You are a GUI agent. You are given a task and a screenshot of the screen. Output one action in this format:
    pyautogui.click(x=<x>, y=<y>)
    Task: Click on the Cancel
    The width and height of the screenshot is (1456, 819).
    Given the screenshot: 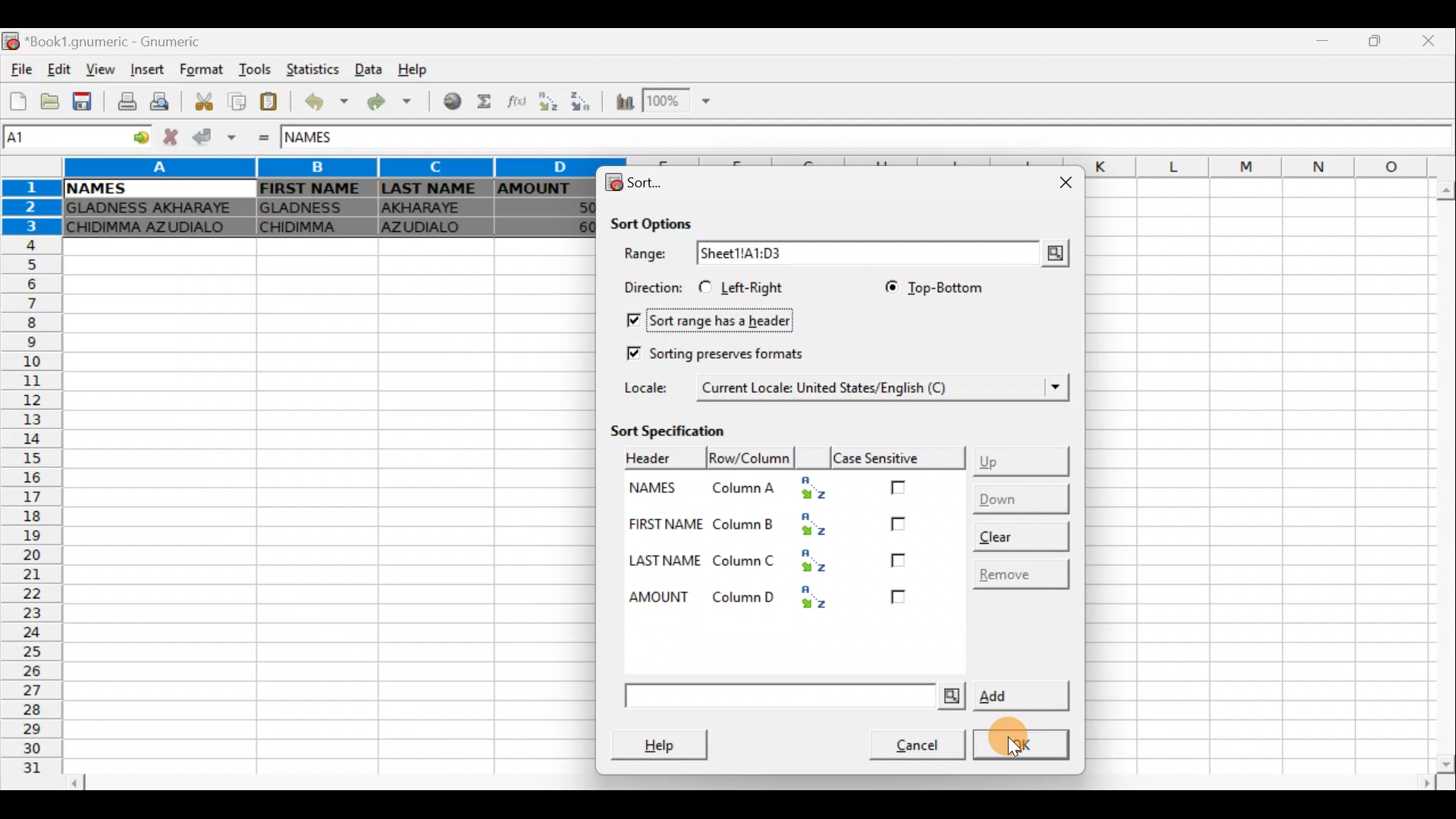 What is the action you would take?
    pyautogui.click(x=908, y=742)
    